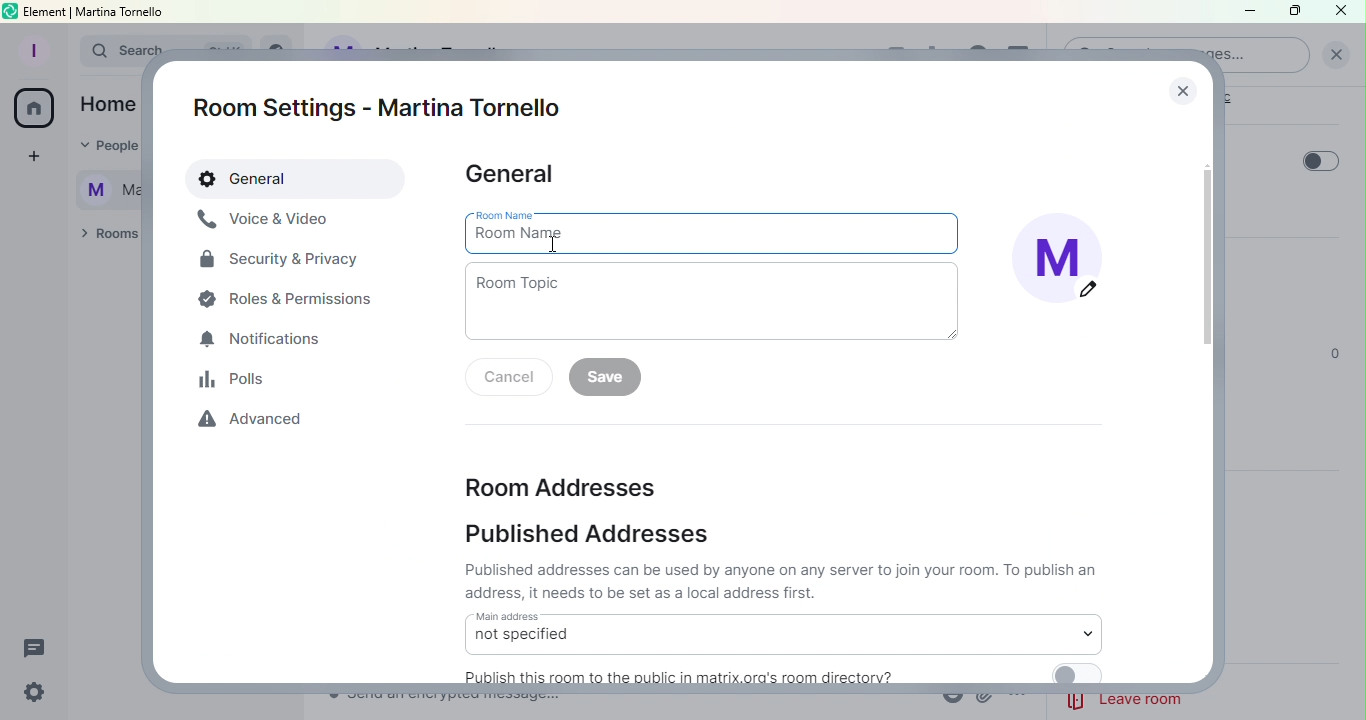 Image resolution: width=1366 pixels, height=720 pixels. What do you see at coordinates (280, 263) in the screenshot?
I see `Security and Privacy` at bounding box center [280, 263].